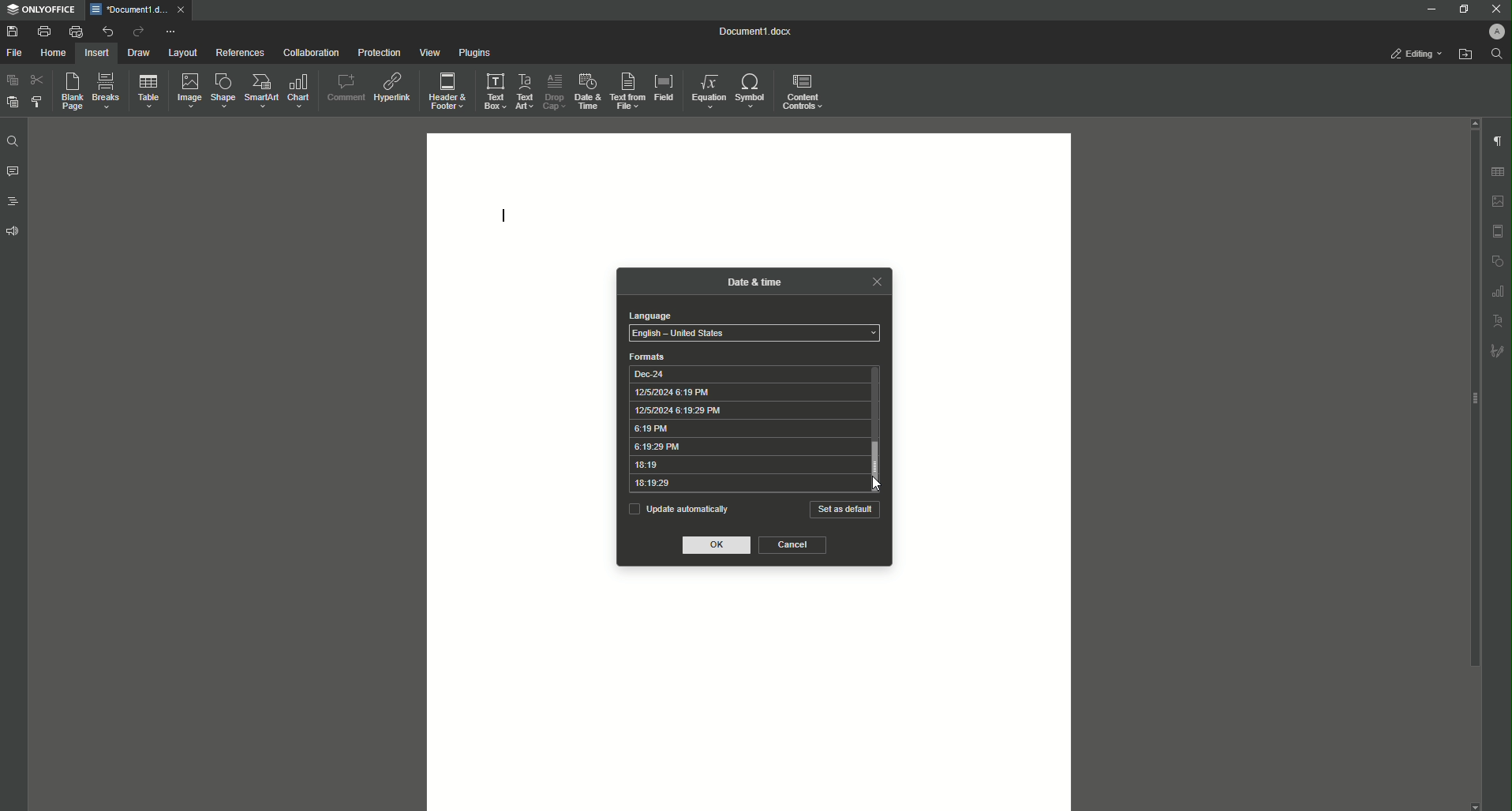  Describe the element at coordinates (755, 280) in the screenshot. I see `date & time` at that location.